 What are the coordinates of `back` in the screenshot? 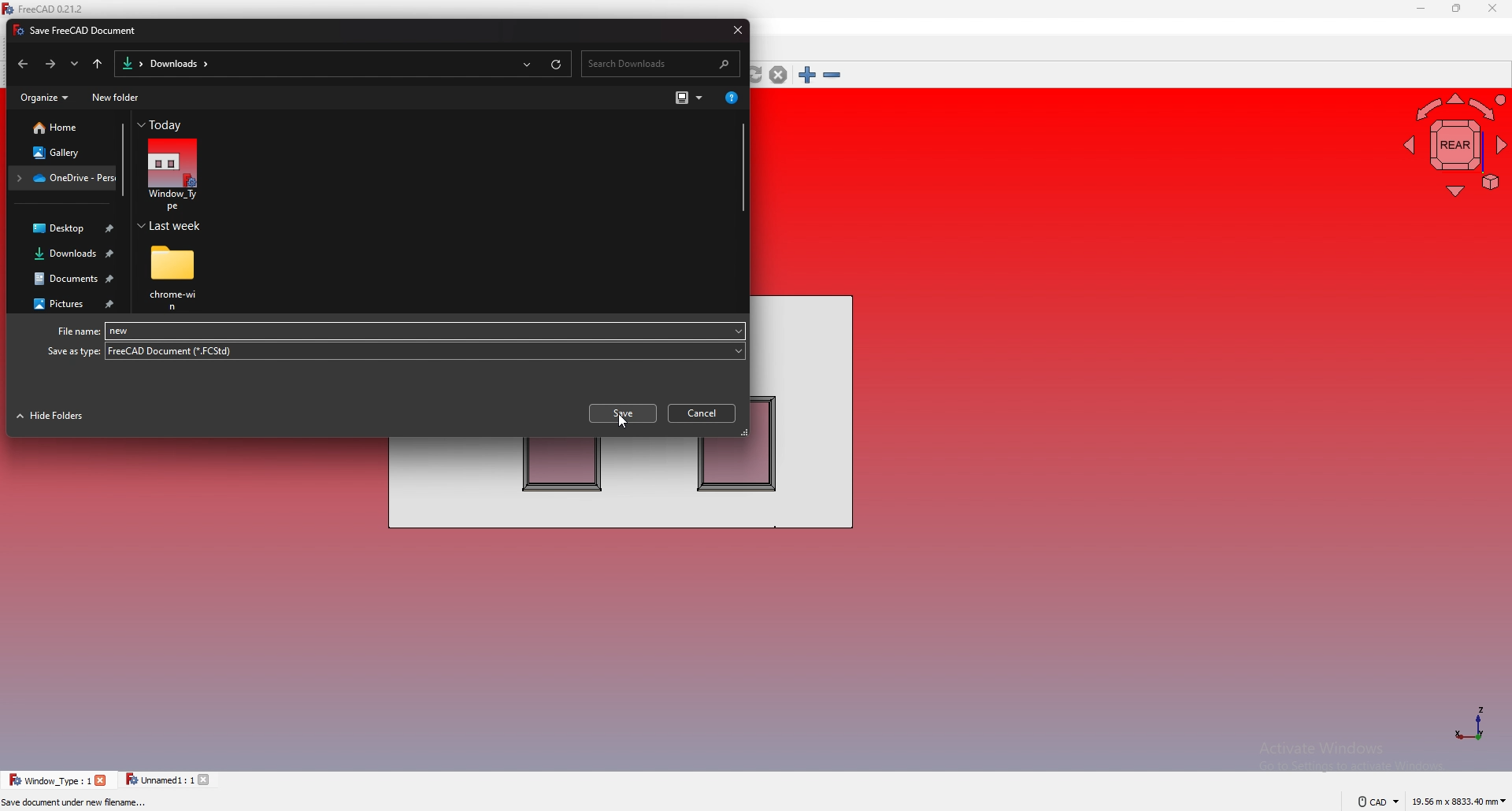 It's located at (20, 65).